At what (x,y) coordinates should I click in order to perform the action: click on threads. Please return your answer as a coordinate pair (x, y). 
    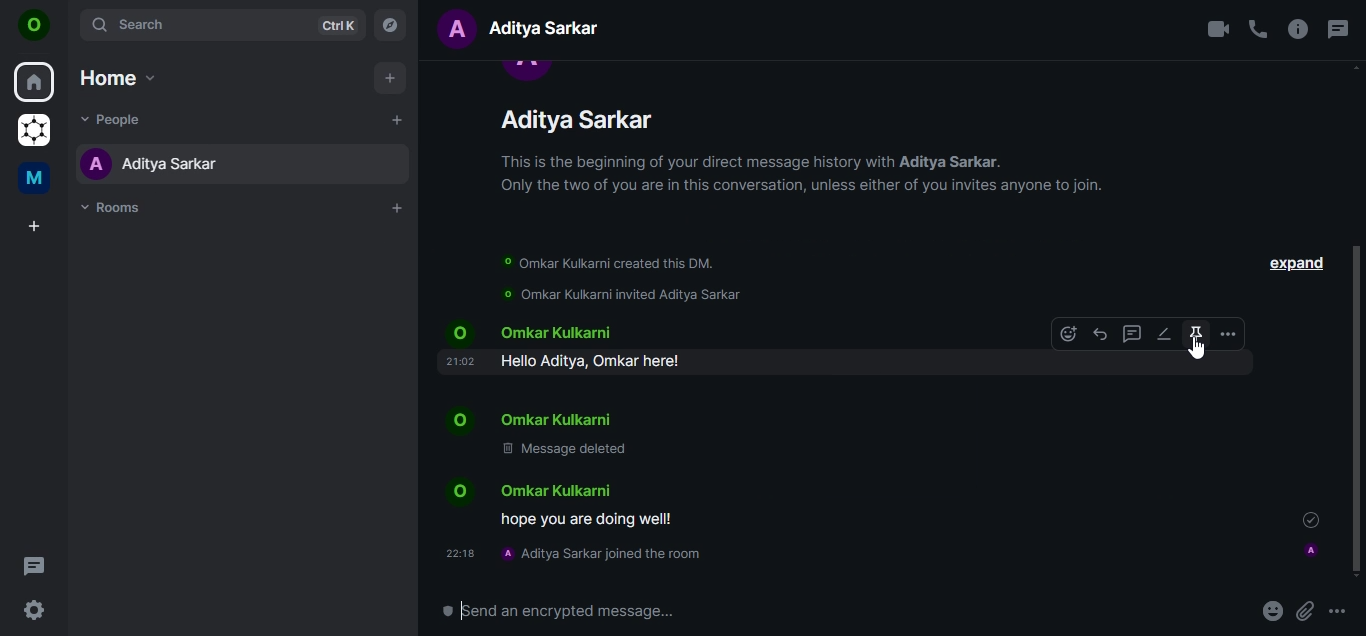
    Looking at the image, I should click on (33, 563).